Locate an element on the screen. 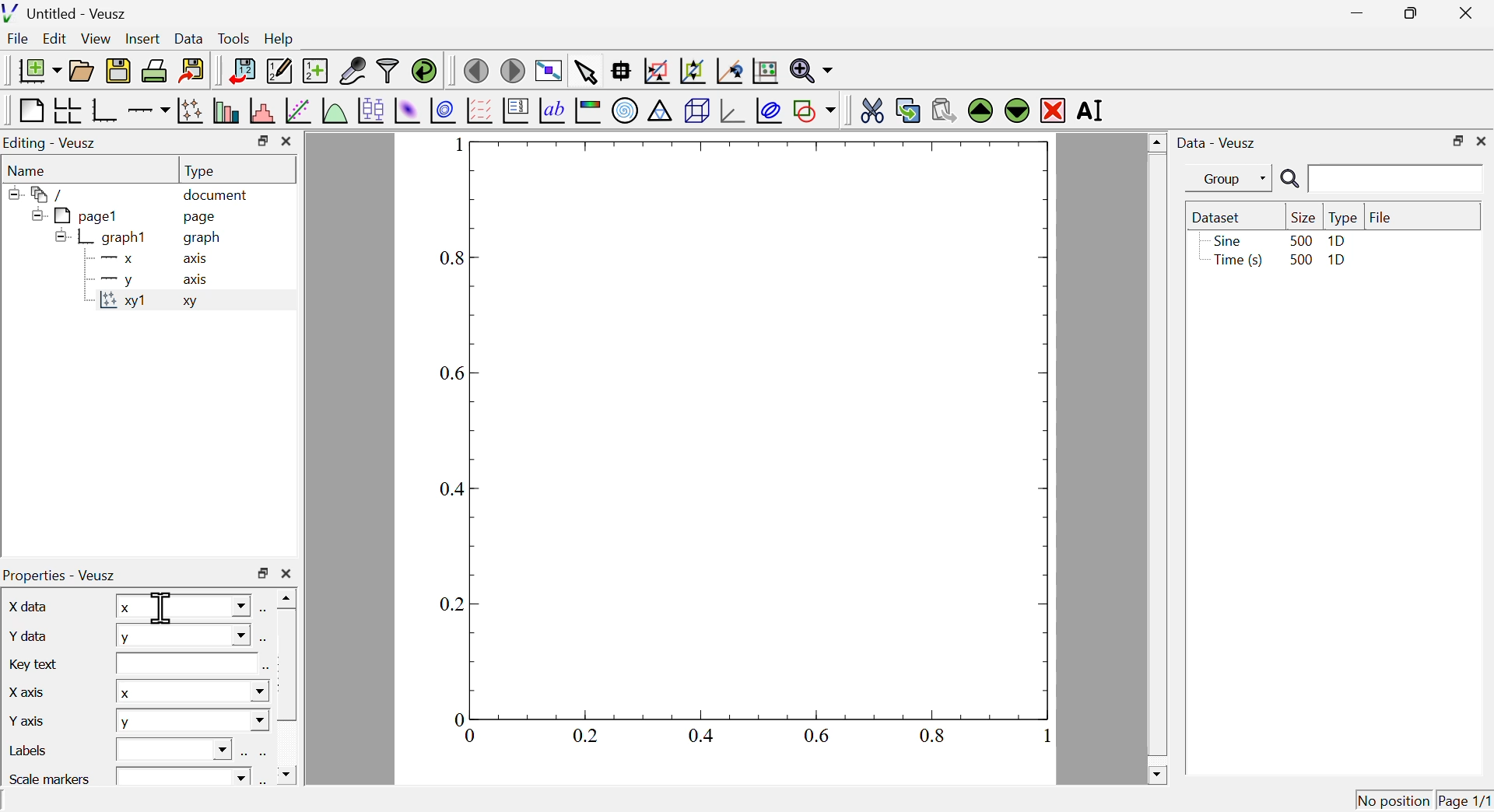 The image size is (1494, 812). axis is located at coordinates (197, 260).